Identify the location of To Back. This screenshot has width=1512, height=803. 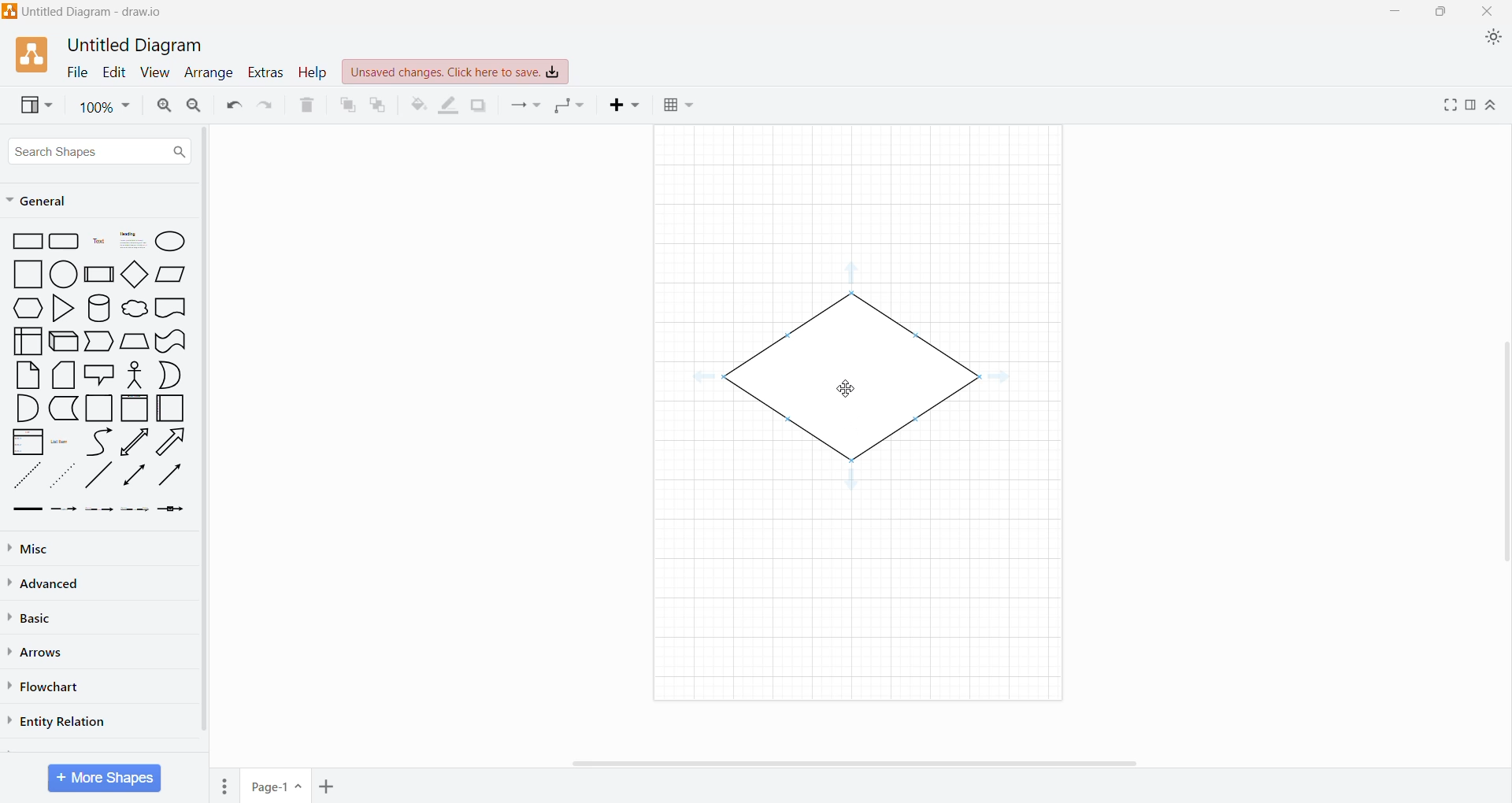
(378, 105).